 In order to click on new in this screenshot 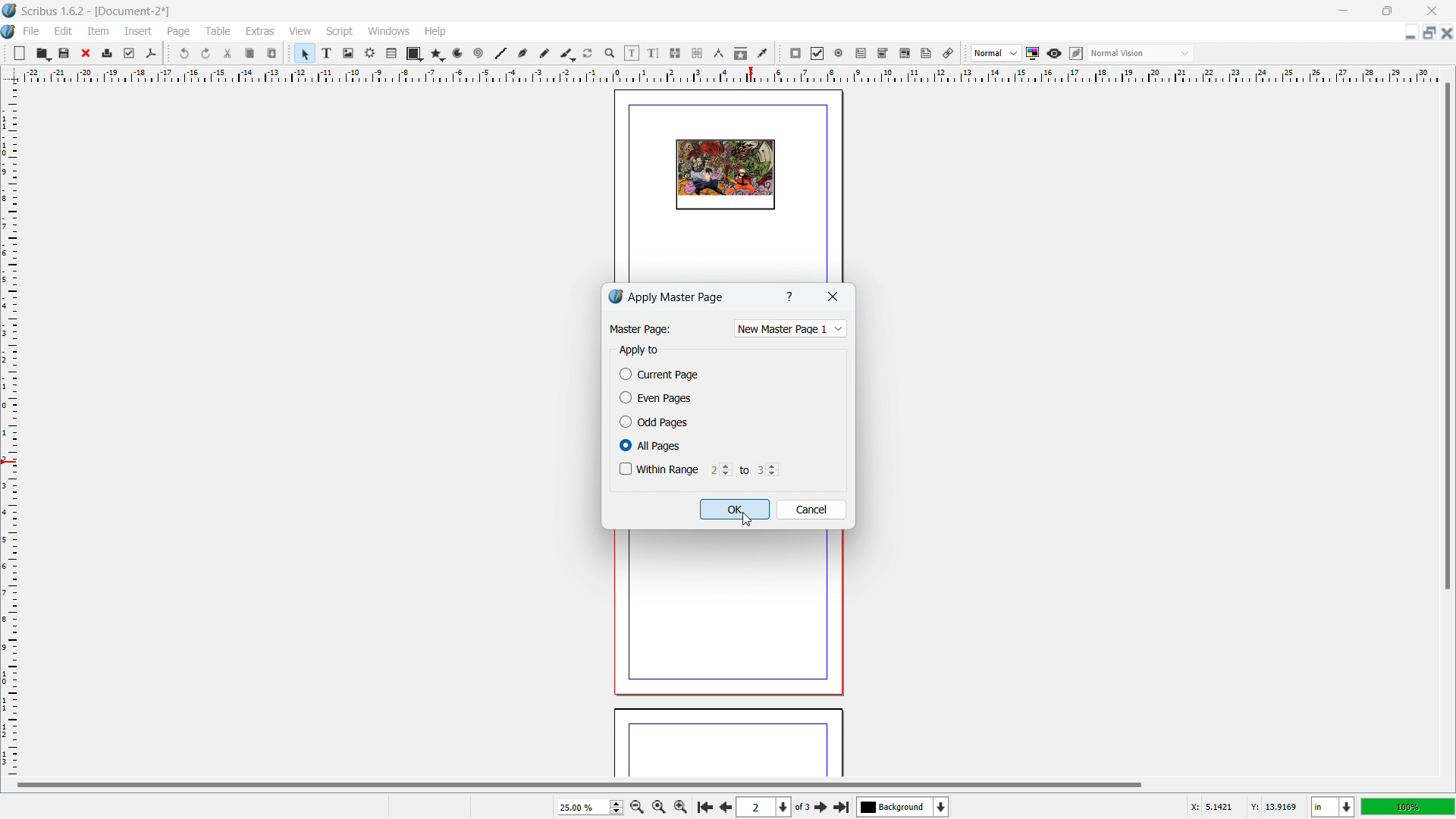, I will do `click(20, 53)`.